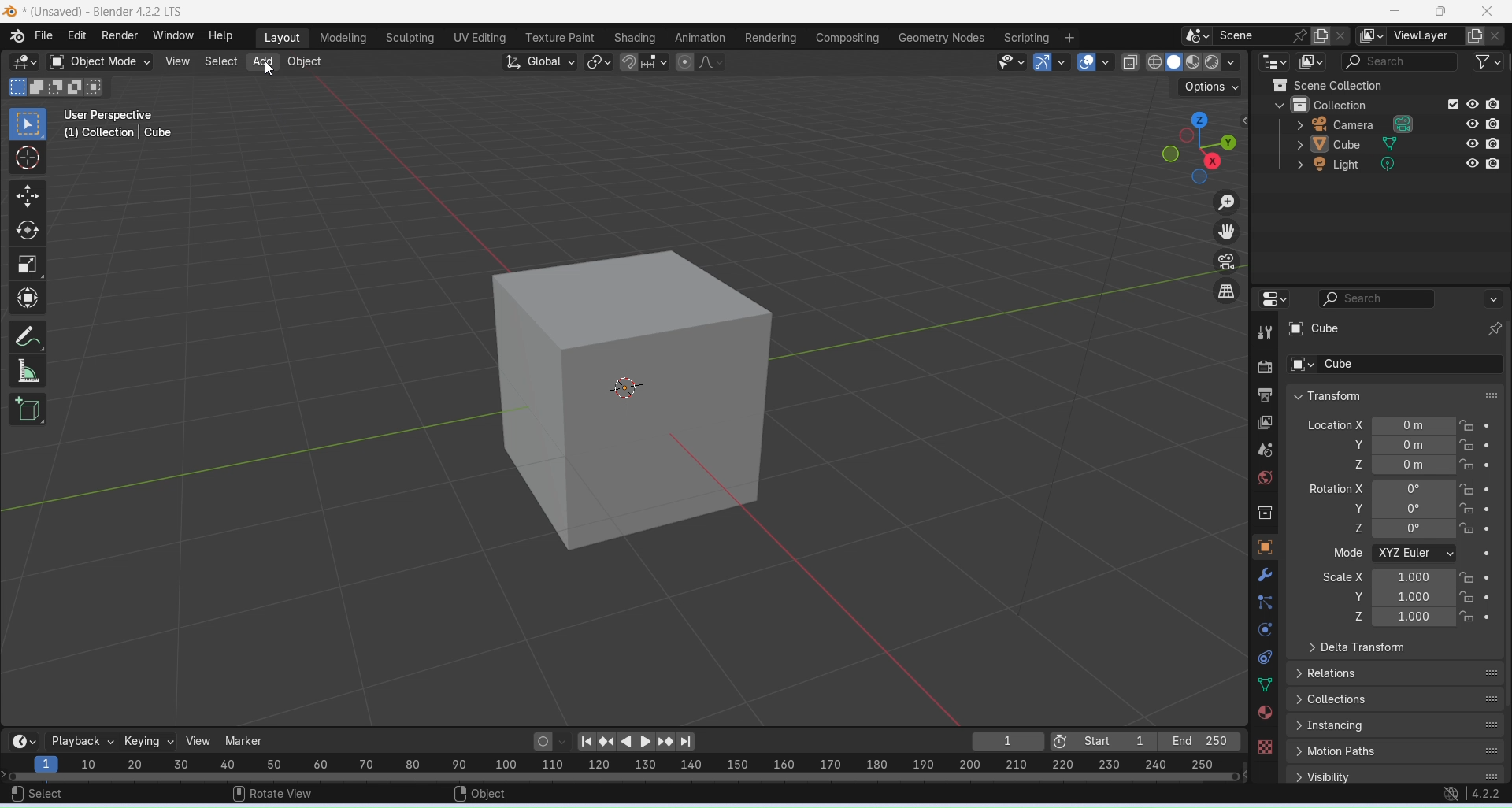  I want to click on Viewport shading, so click(1184, 61).